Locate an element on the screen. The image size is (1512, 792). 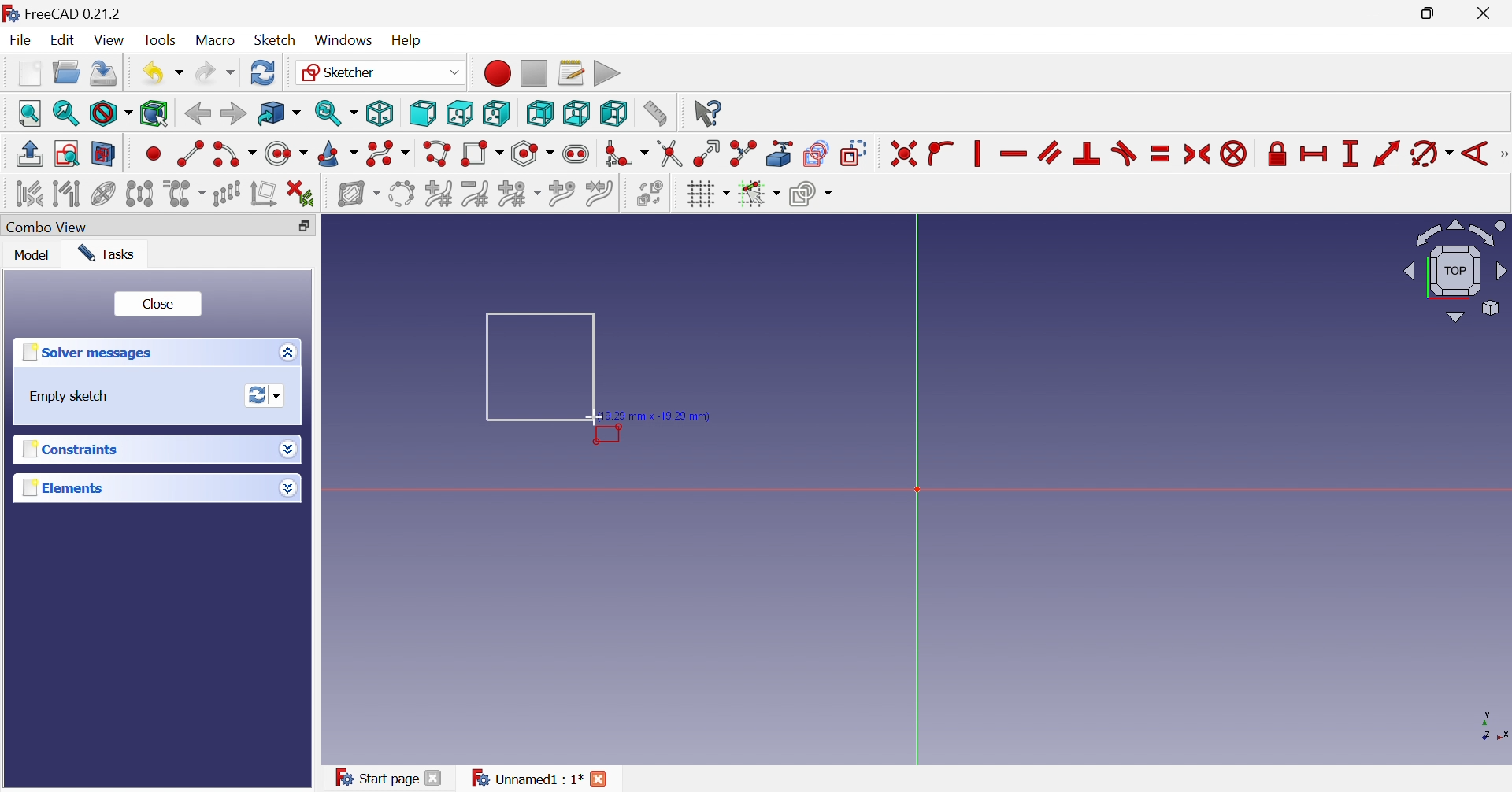
Constrain equal is located at coordinates (1161, 154).